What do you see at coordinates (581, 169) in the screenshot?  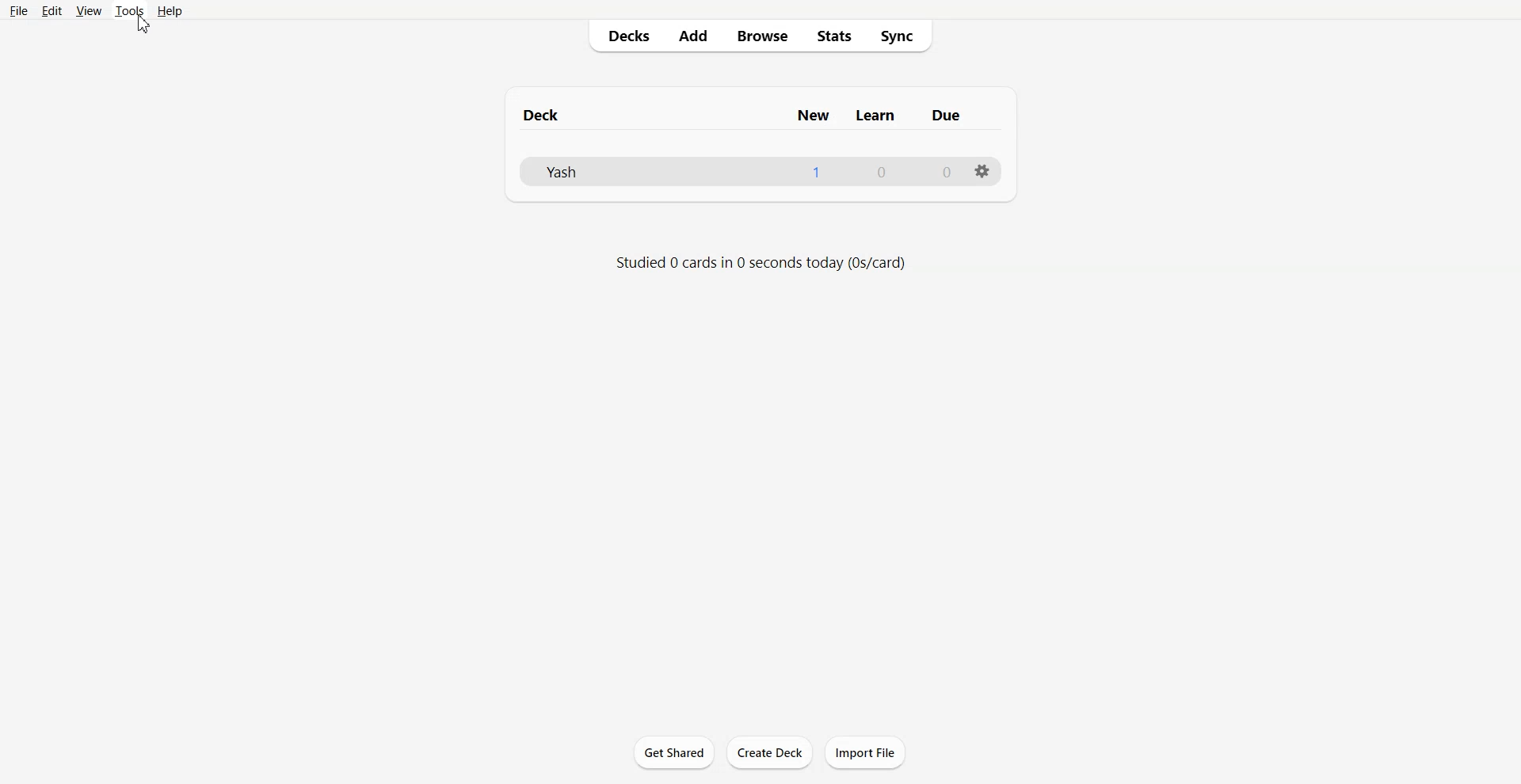 I see `yashs` at bounding box center [581, 169].